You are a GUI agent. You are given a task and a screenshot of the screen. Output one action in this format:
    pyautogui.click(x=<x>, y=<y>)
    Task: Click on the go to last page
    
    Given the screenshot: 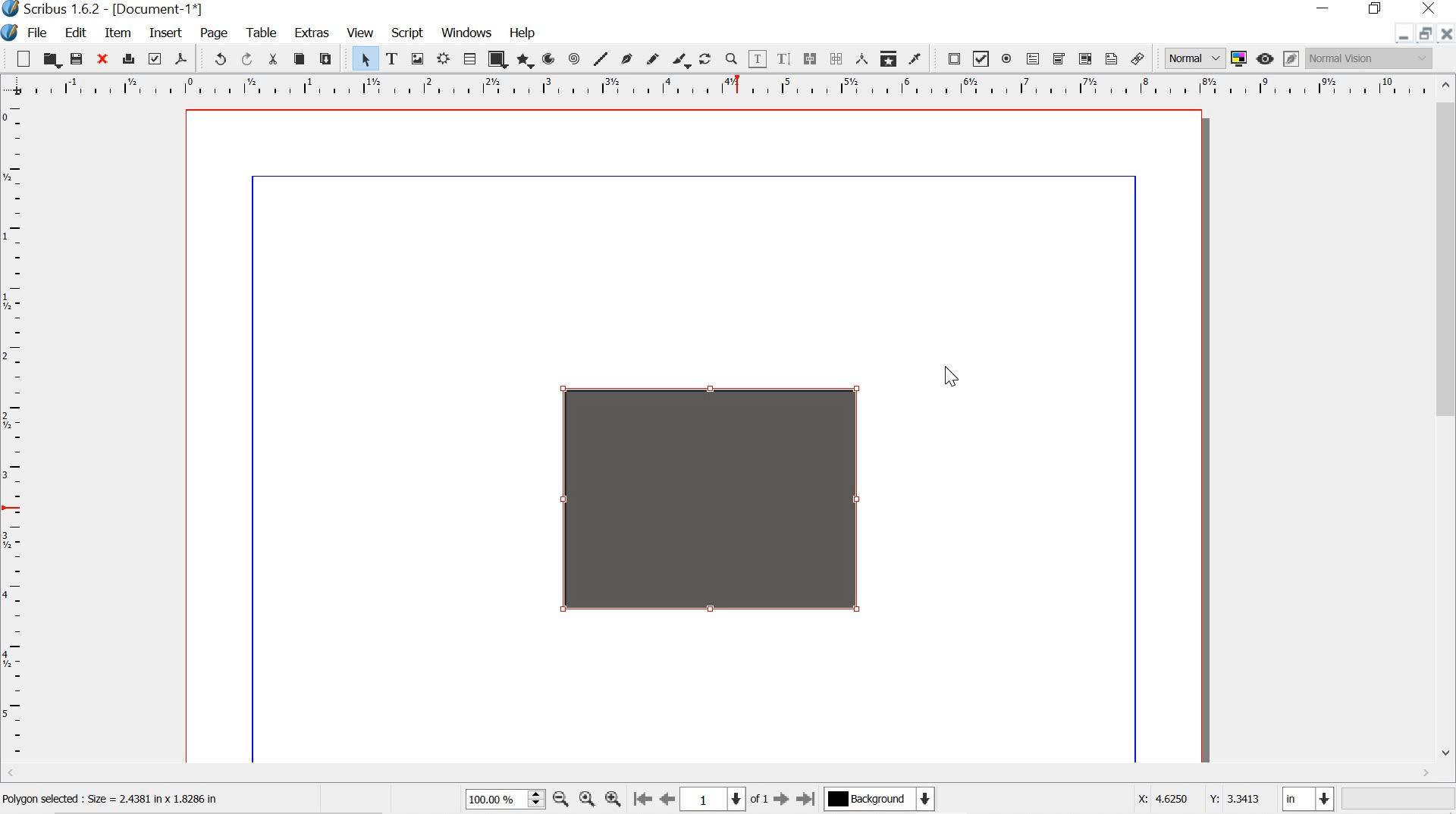 What is the action you would take?
    pyautogui.click(x=805, y=799)
    